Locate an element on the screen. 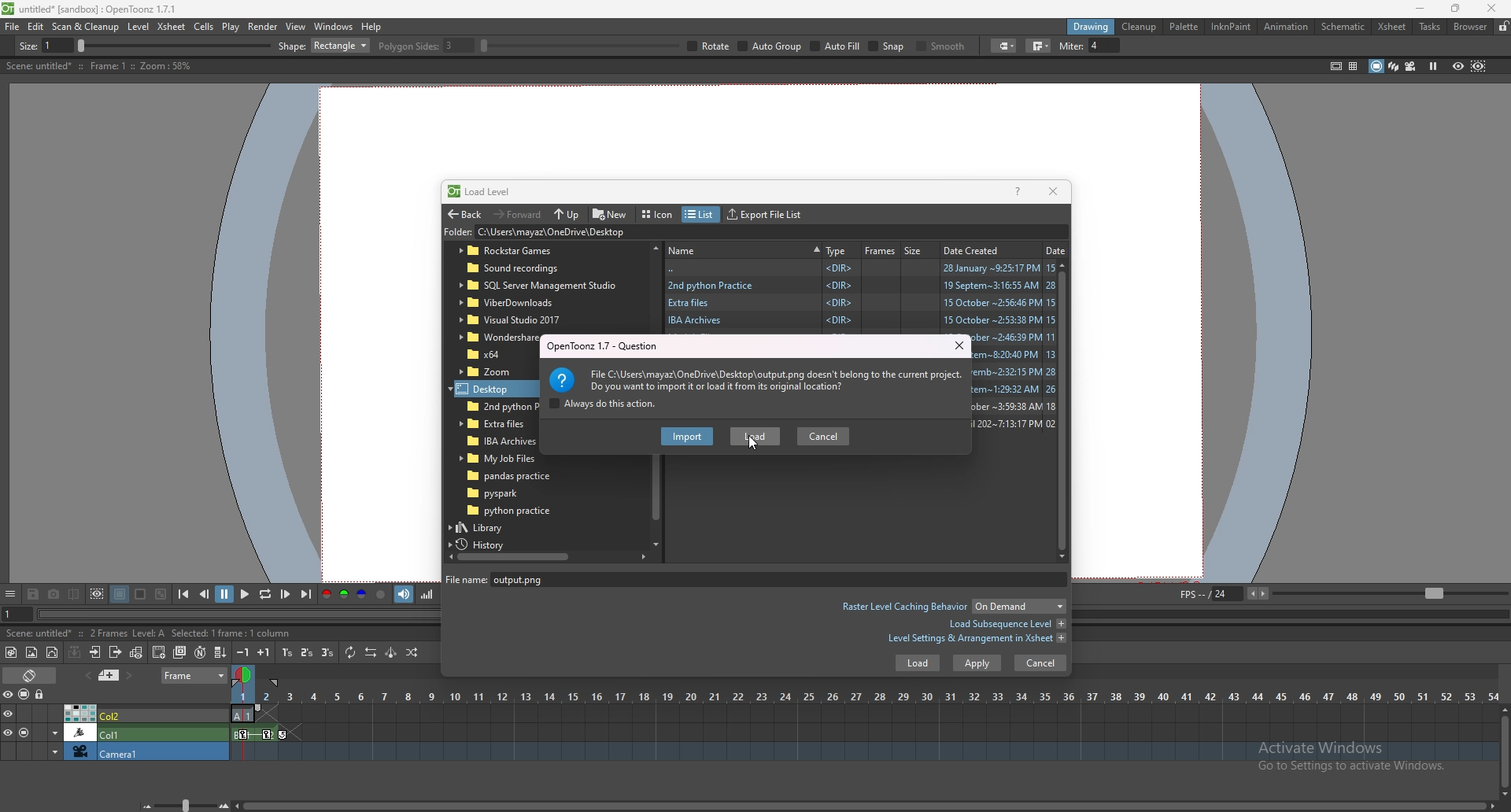  checkered background is located at coordinates (160, 595).